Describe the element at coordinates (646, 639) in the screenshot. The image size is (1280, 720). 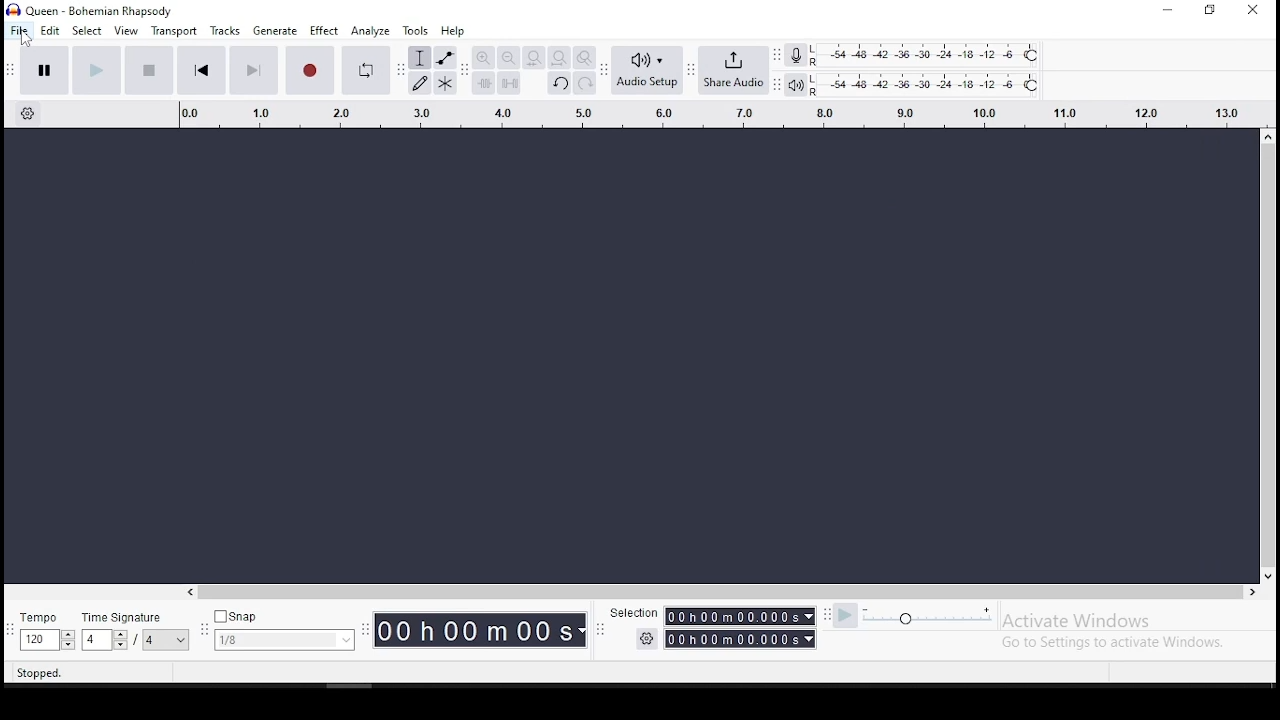
I see `settings` at that location.